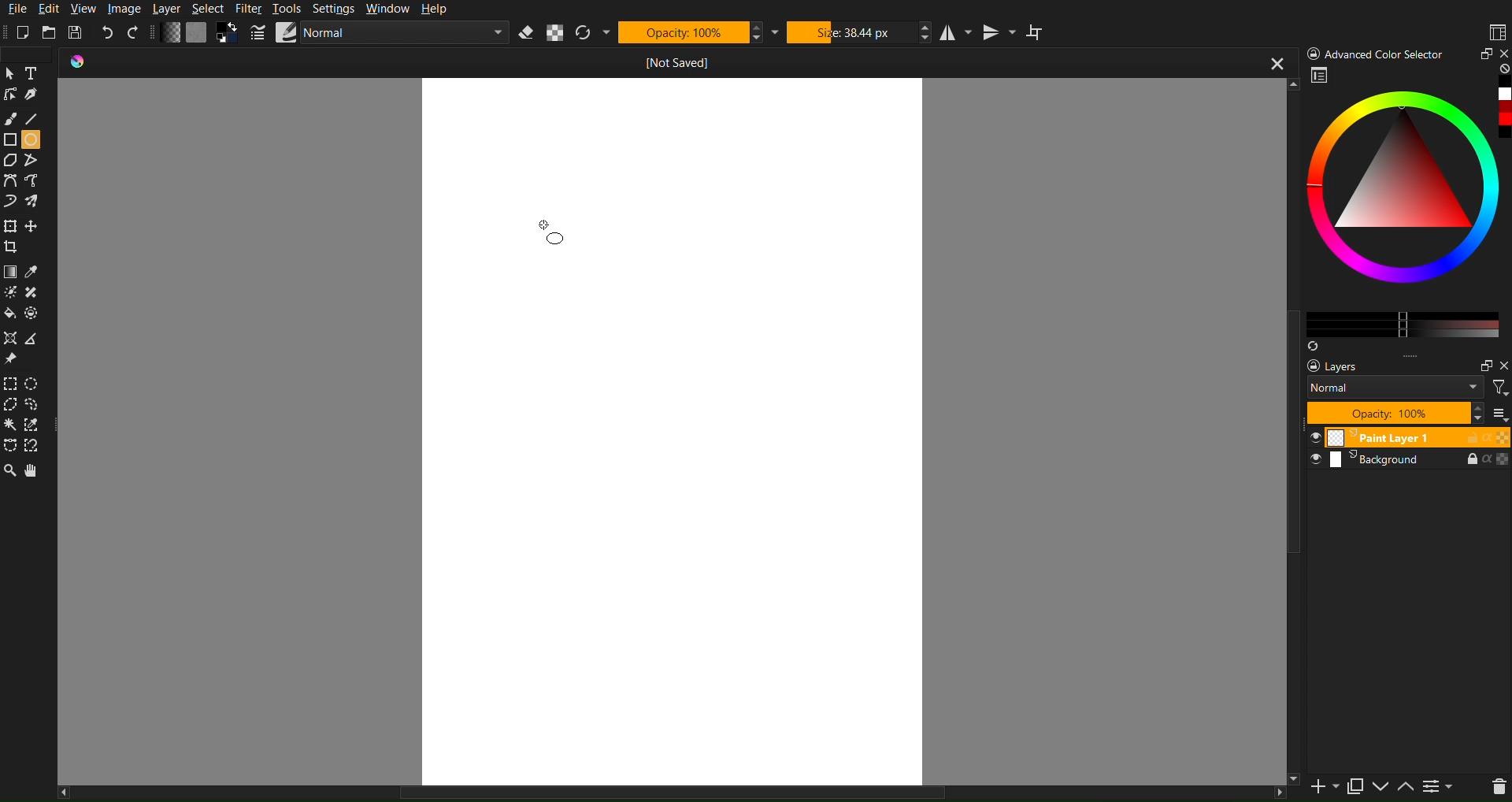 Image resolution: width=1512 pixels, height=802 pixels. What do you see at coordinates (9, 470) in the screenshot?
I see `Zoom ` at bounding box center [9, 470].